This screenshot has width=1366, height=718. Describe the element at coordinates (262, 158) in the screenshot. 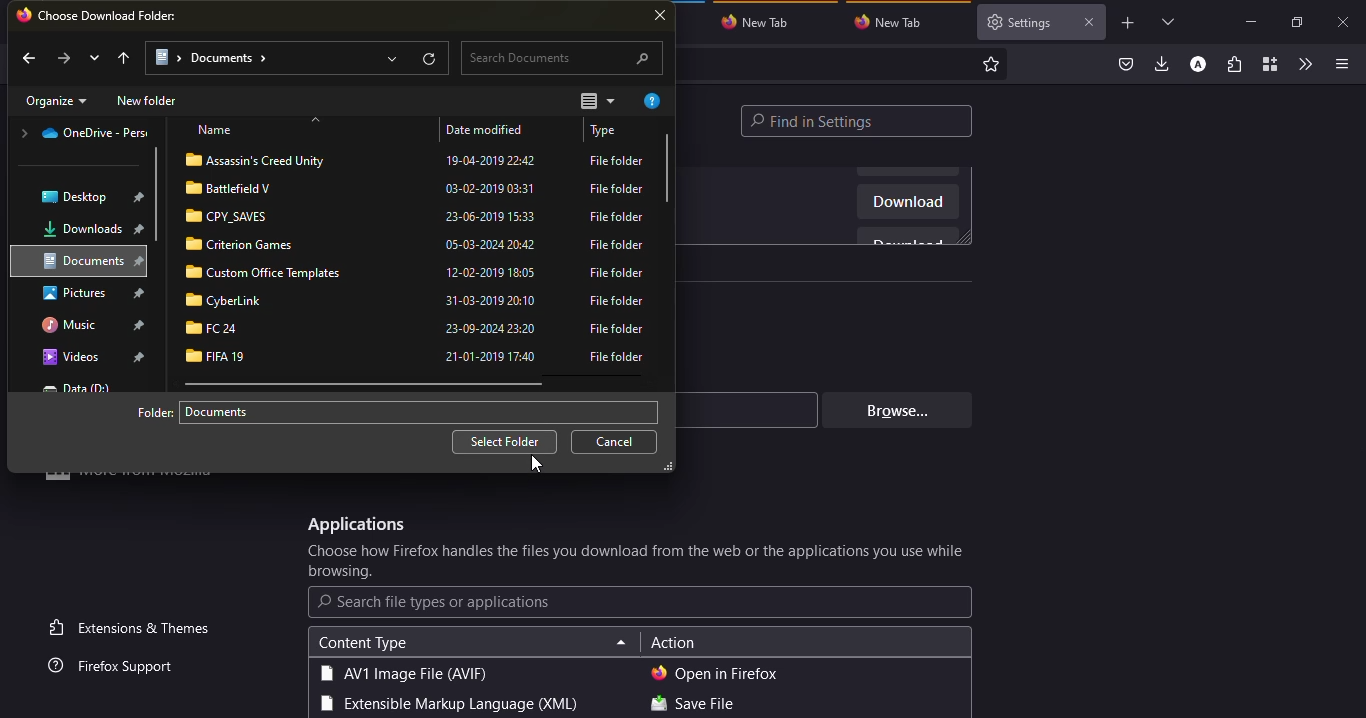

I see `folder` at that location.